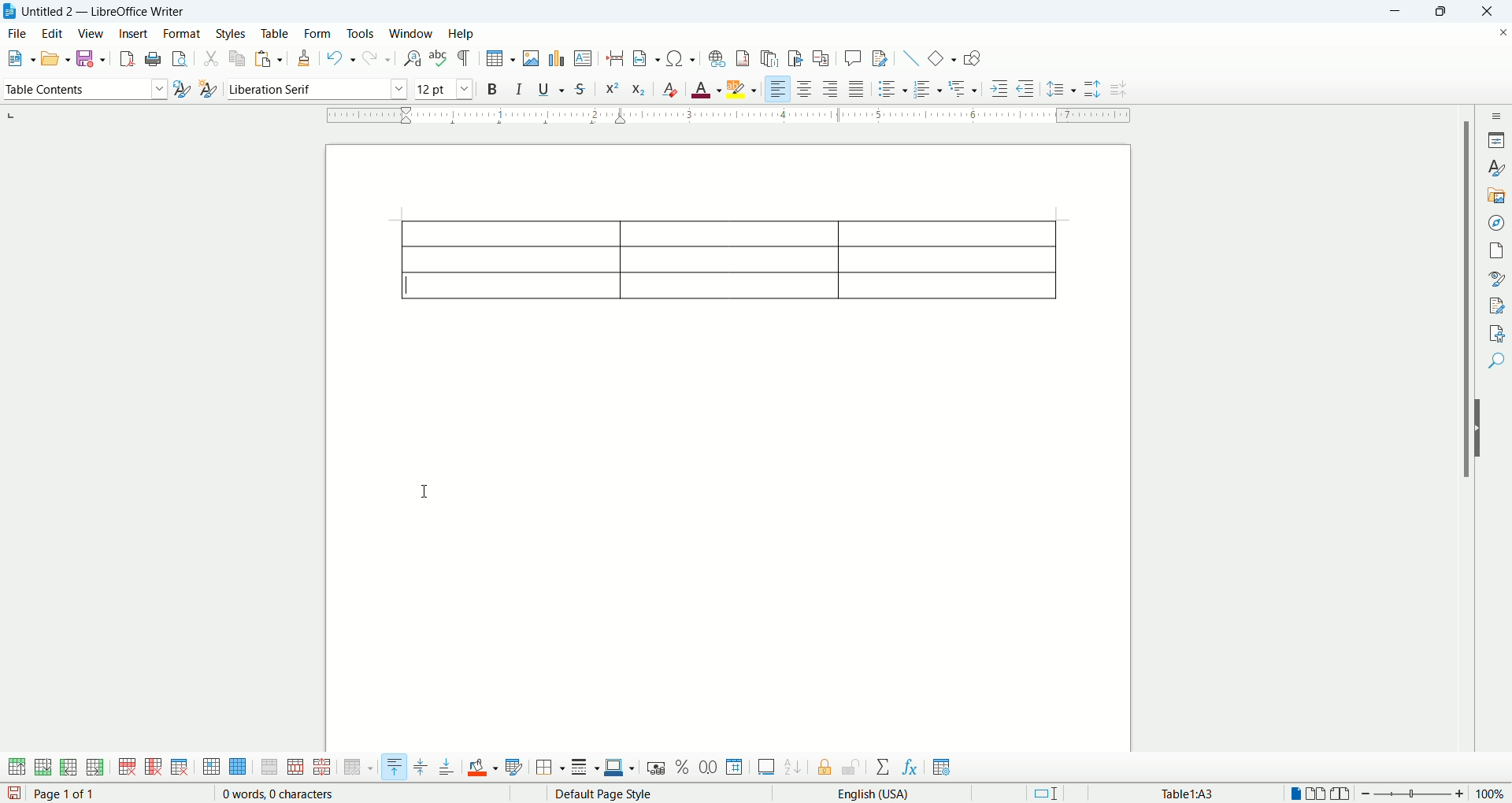 Image resolution: width=1512 pixels, height=803 pixels. What do you see at coordinates (517, 89) in the screenshot?
I see `italics` at bounding box center [517, 89].